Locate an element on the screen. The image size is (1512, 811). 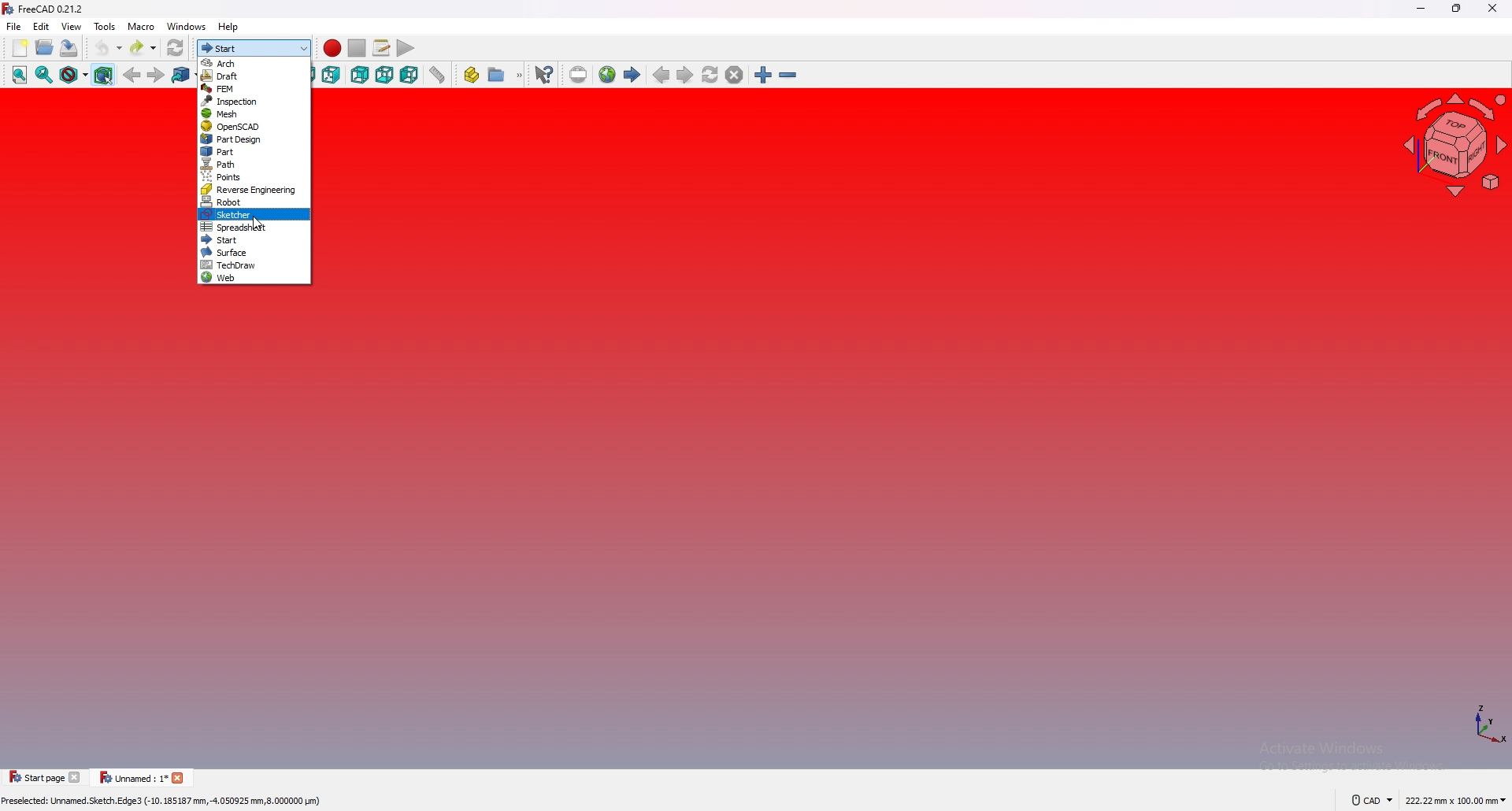
execute macro is located at coordinates (406, 48).